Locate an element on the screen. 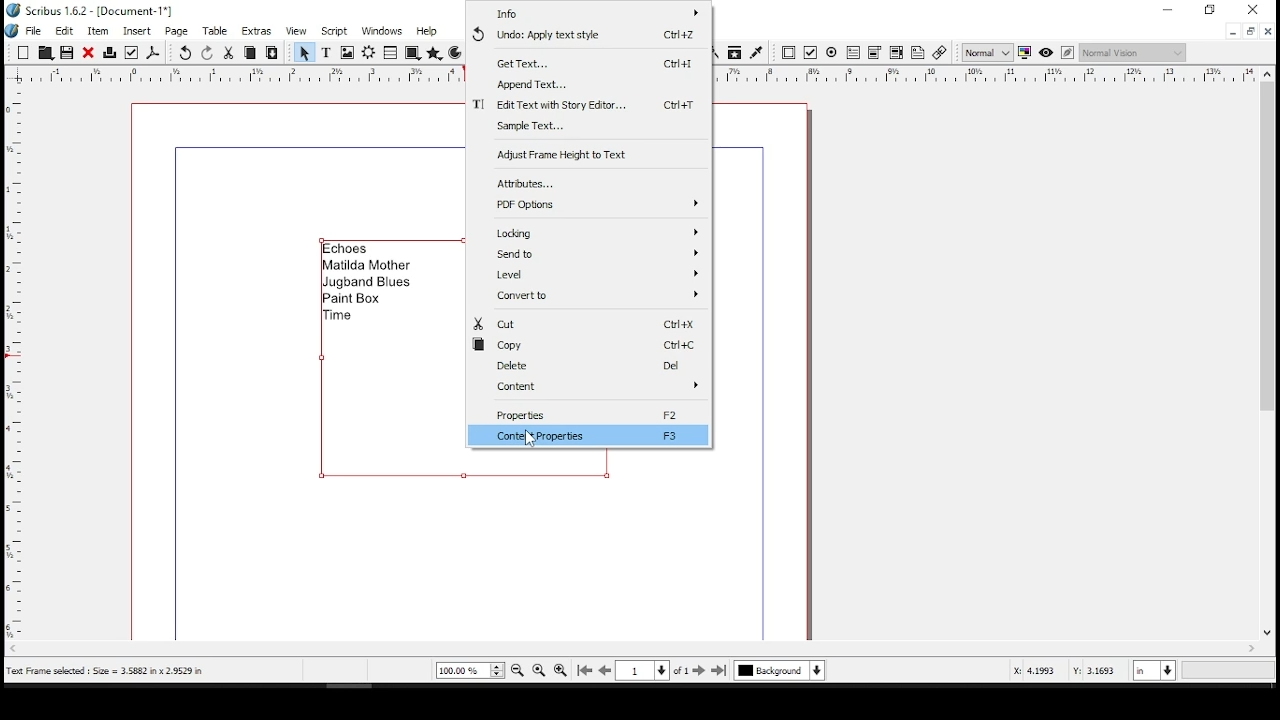 This screenshot has height=720, width=1280. insert is located at coordinates (138, 30).